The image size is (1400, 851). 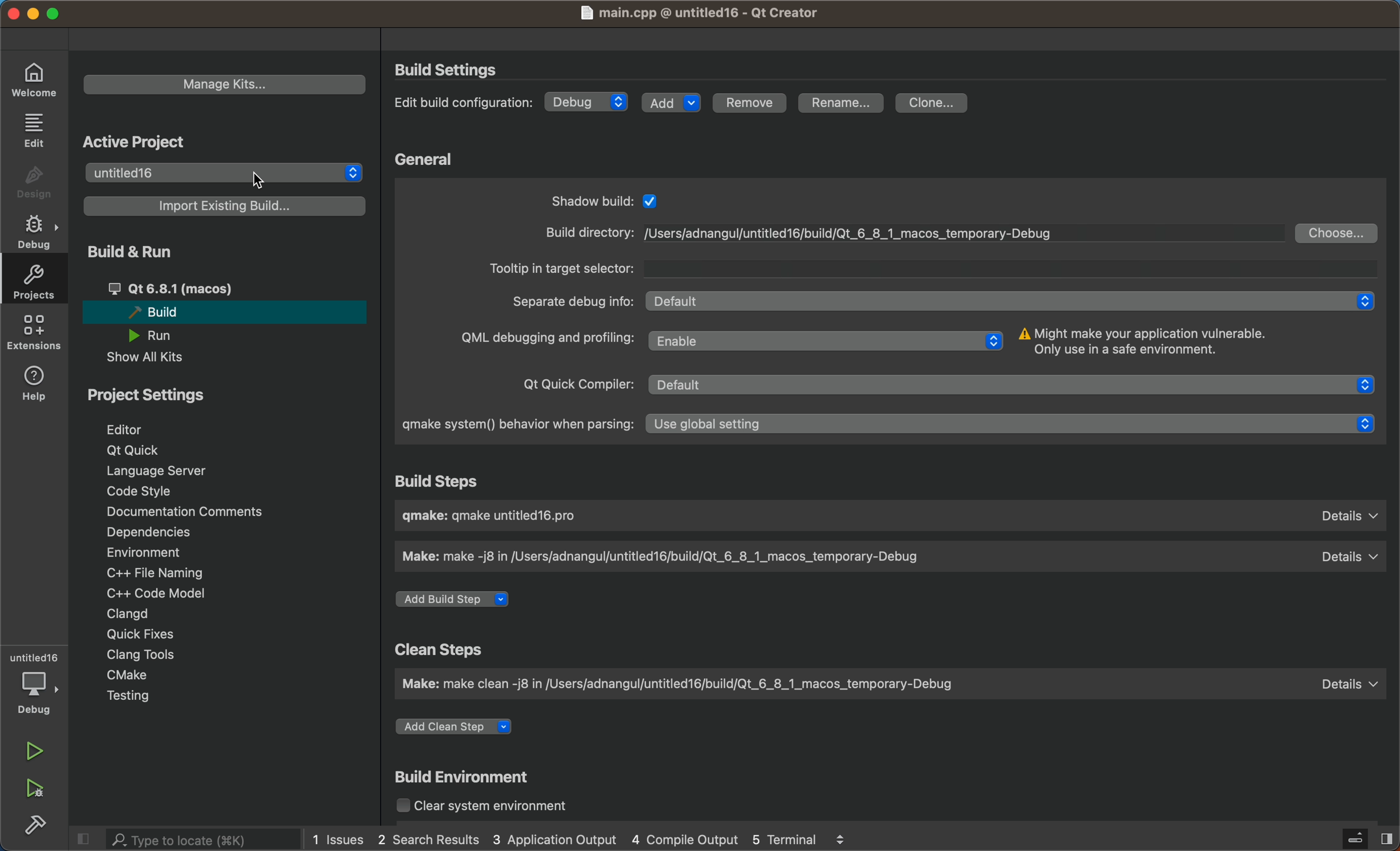 I want to click on main .cpp, so click(x=699, y=13).